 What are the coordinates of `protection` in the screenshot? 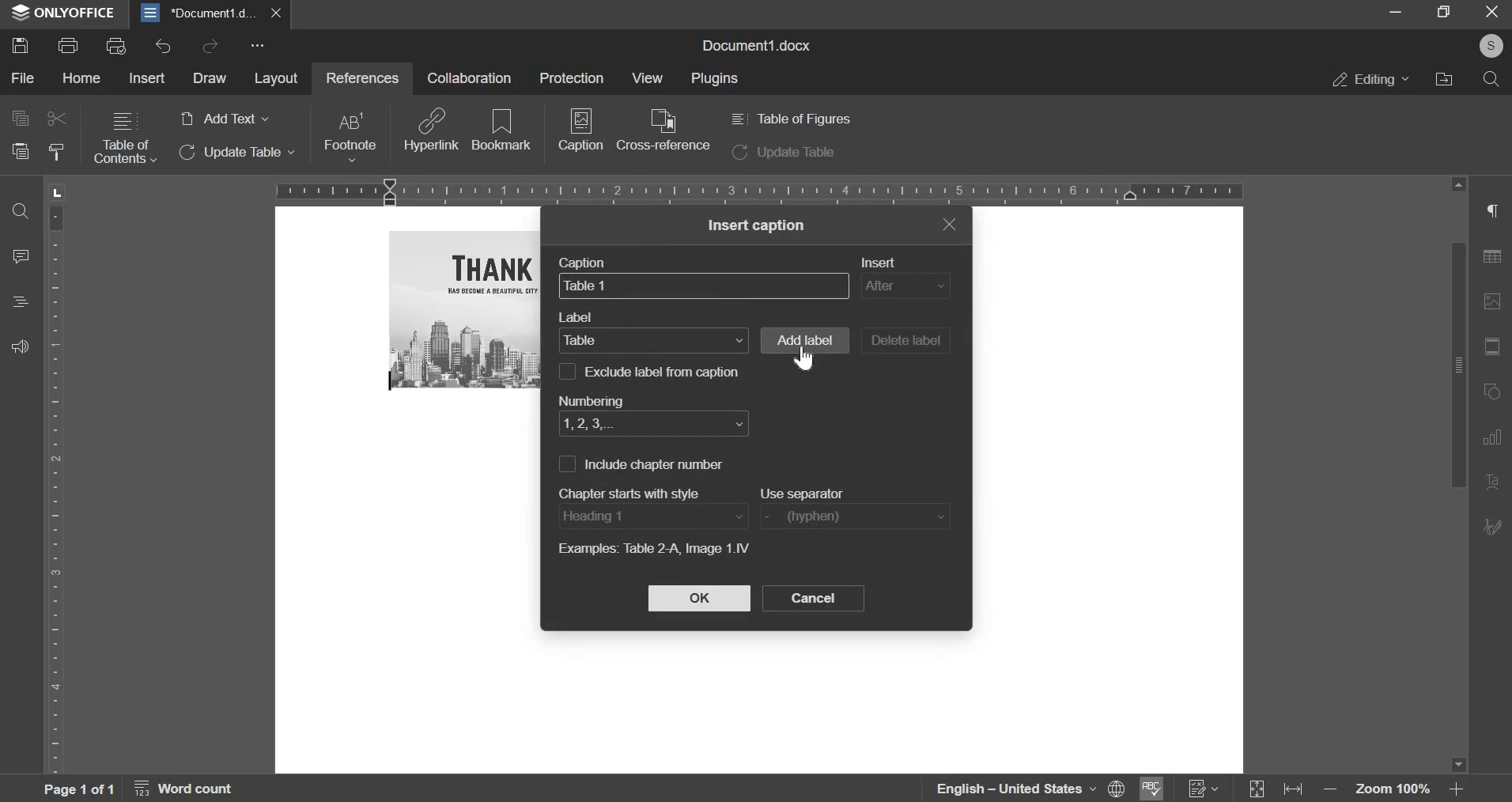 It's located at (571, 77).